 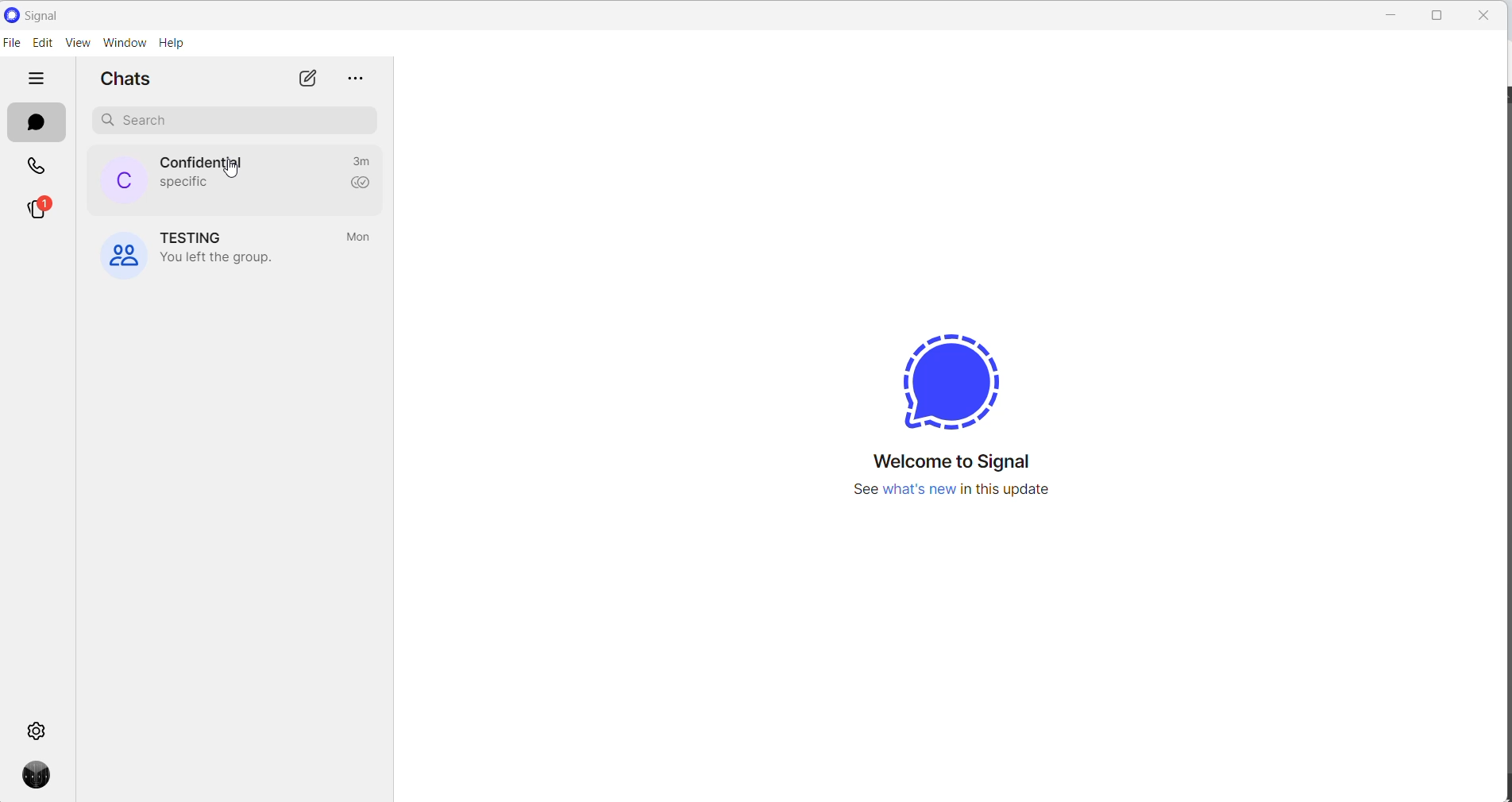 What do you see at coordinates (951, 381) in the screenshot?
I see `signal logo` at bounding box center [951, 381].